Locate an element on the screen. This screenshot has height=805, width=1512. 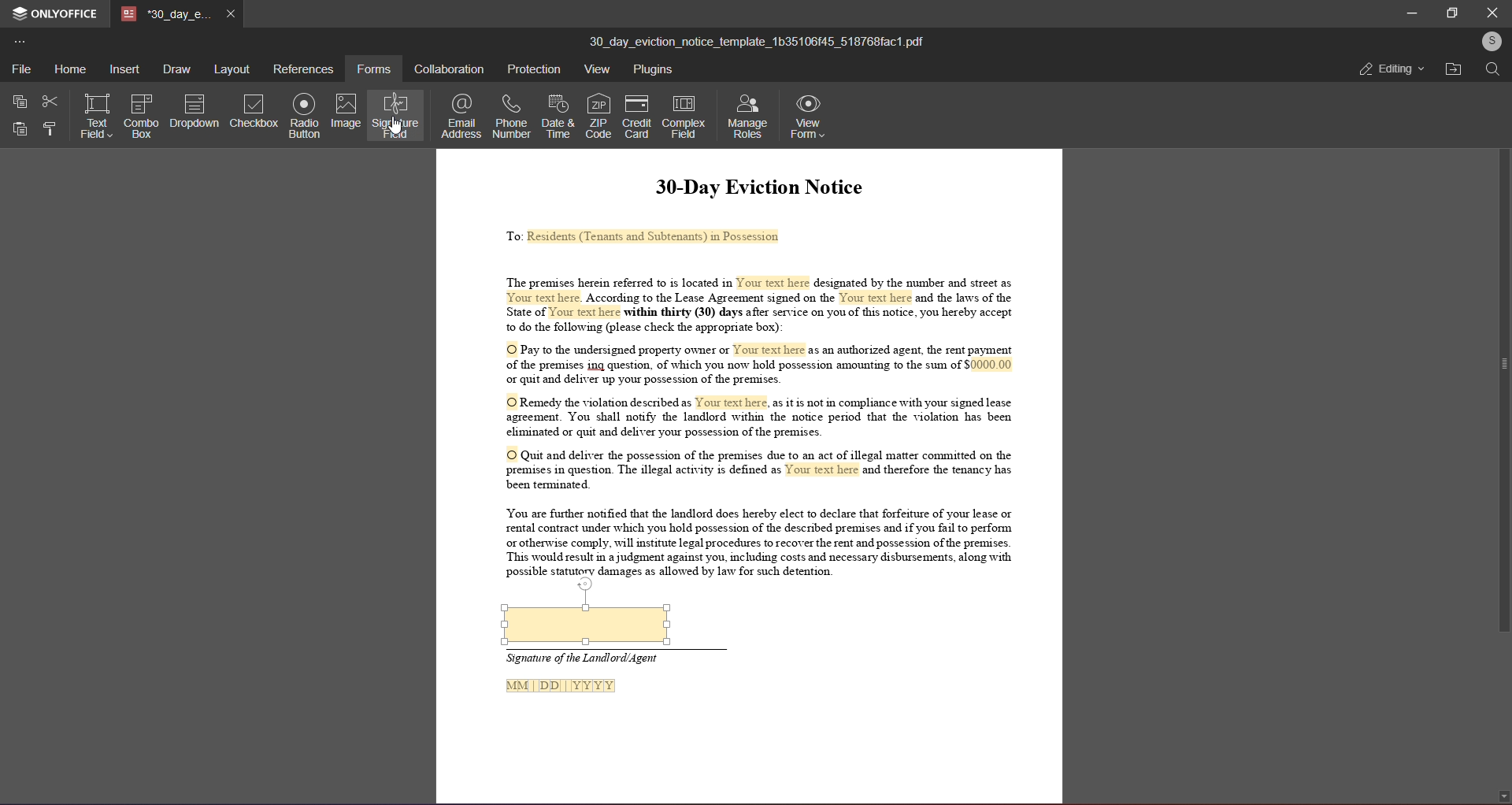
text field is located at coordinates (97, 113).